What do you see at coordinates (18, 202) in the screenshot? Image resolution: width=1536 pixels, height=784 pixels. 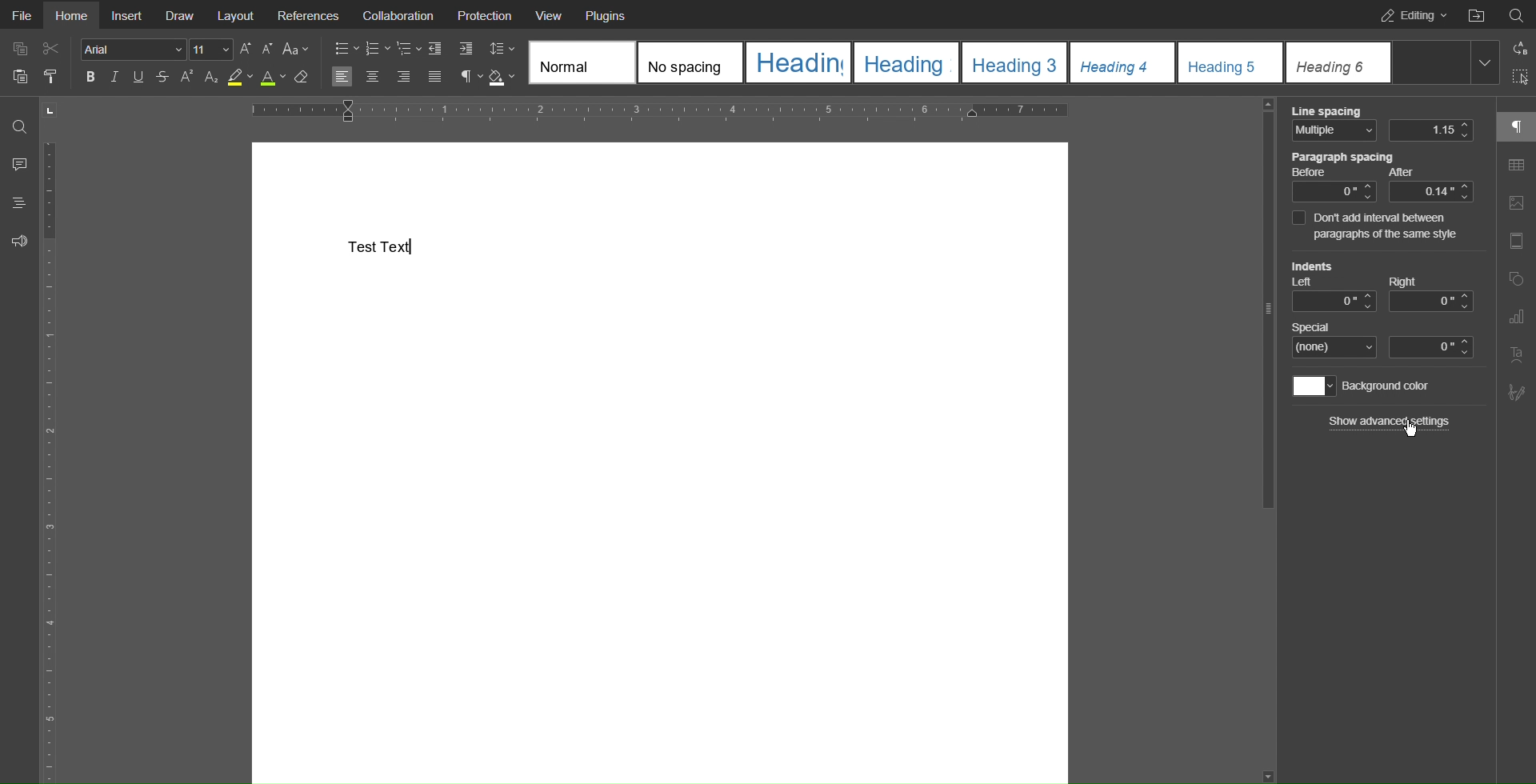 I see `Headings` at bounding box center [18, 202].